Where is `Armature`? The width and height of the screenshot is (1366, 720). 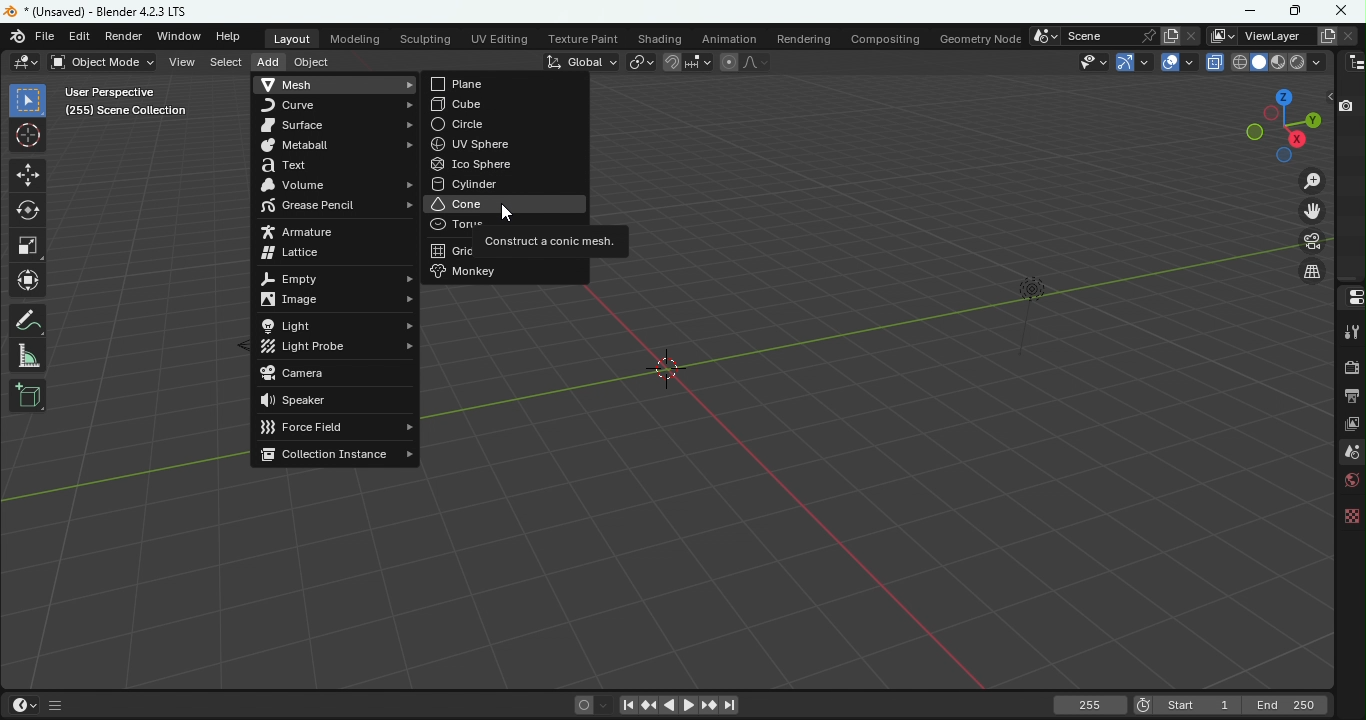
Armature is located at coordinates (317, 232).